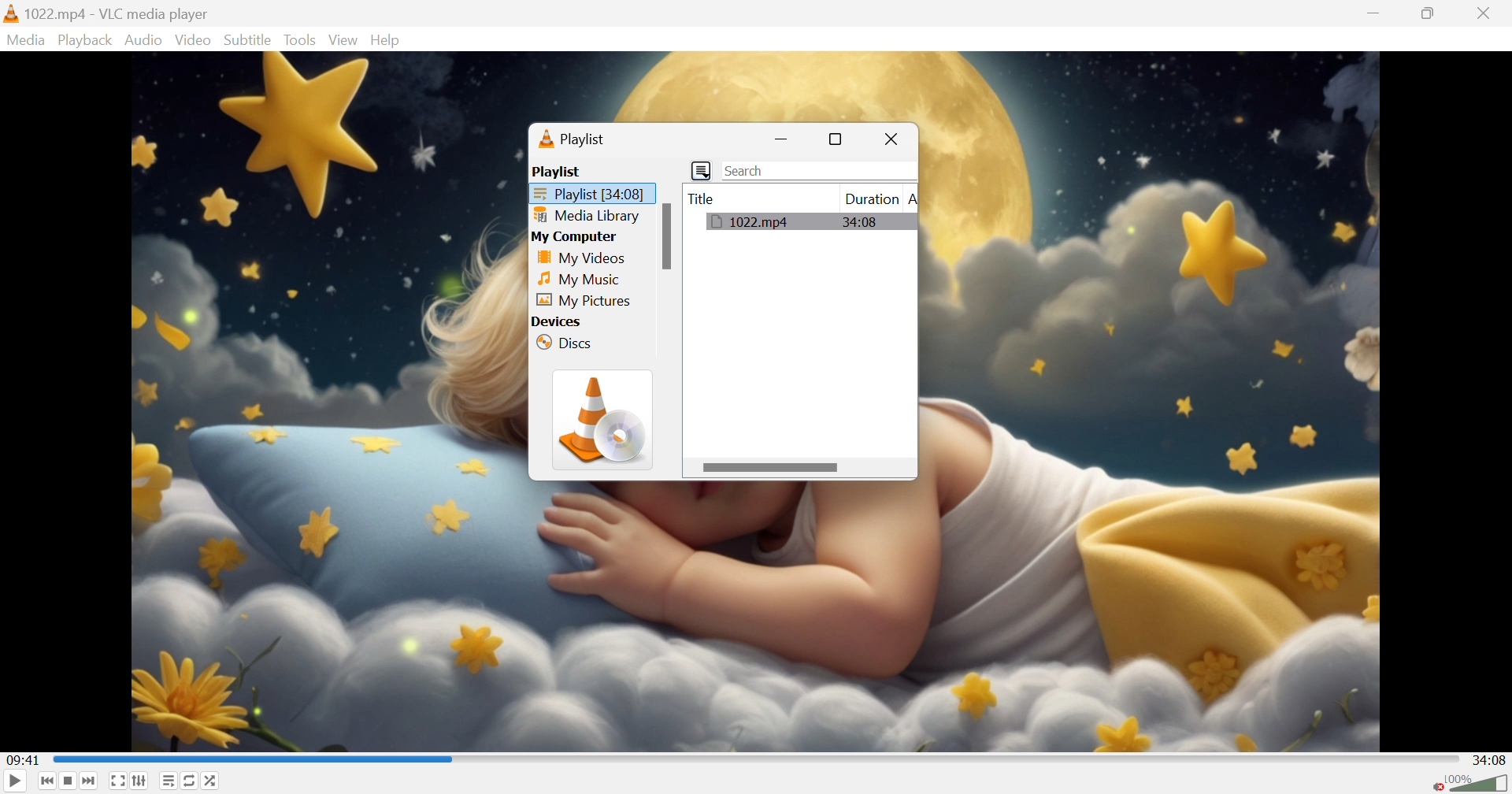 The height and width of the screenshot is (794, 1512). Describe the element at coordinates (576, 236) in the screenshot. I see `My Computer` at that location.